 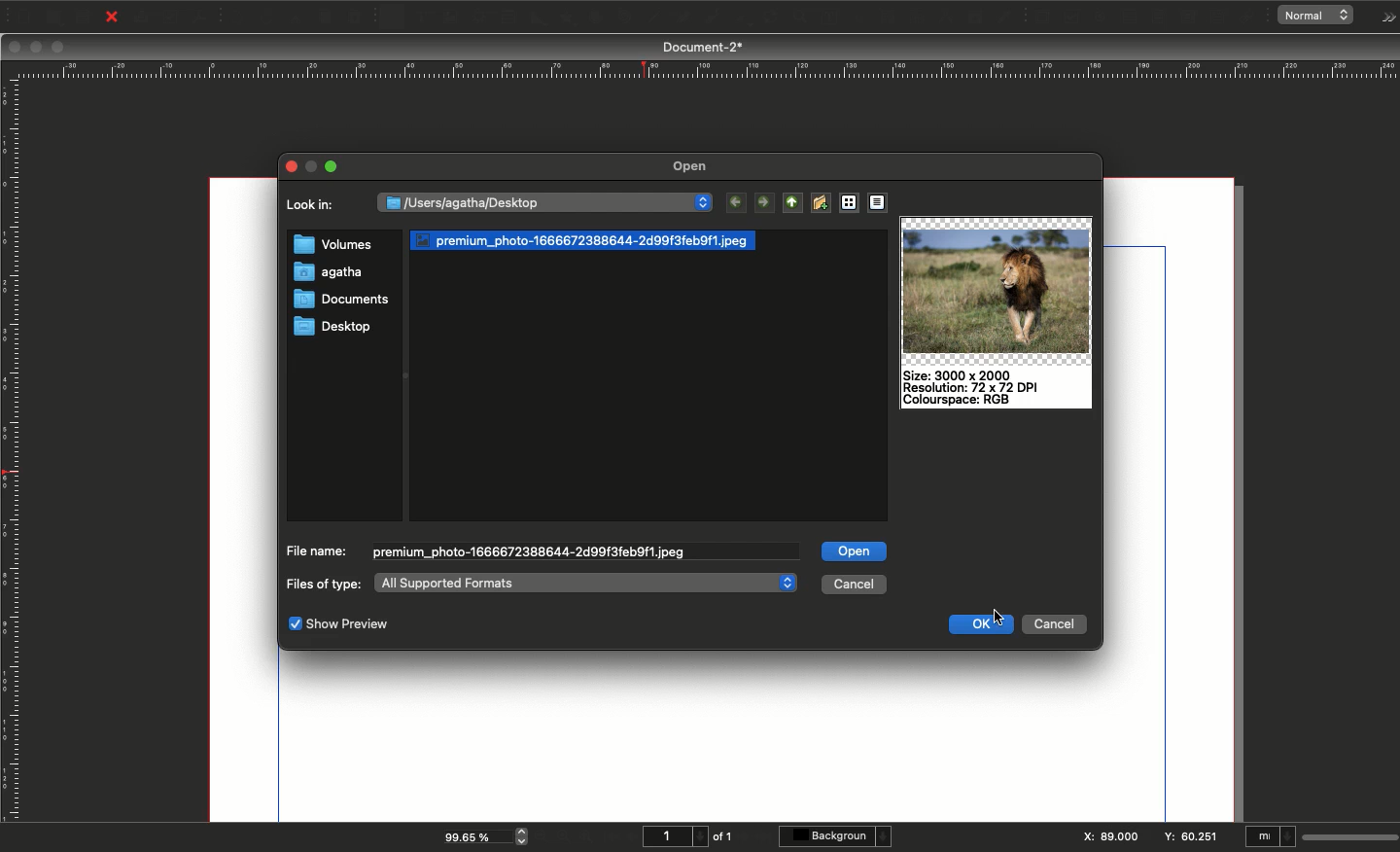 What do you see at coordinates (998, 617) in the screenshot?
I see `Cursor` at bounding box center [998, 617].